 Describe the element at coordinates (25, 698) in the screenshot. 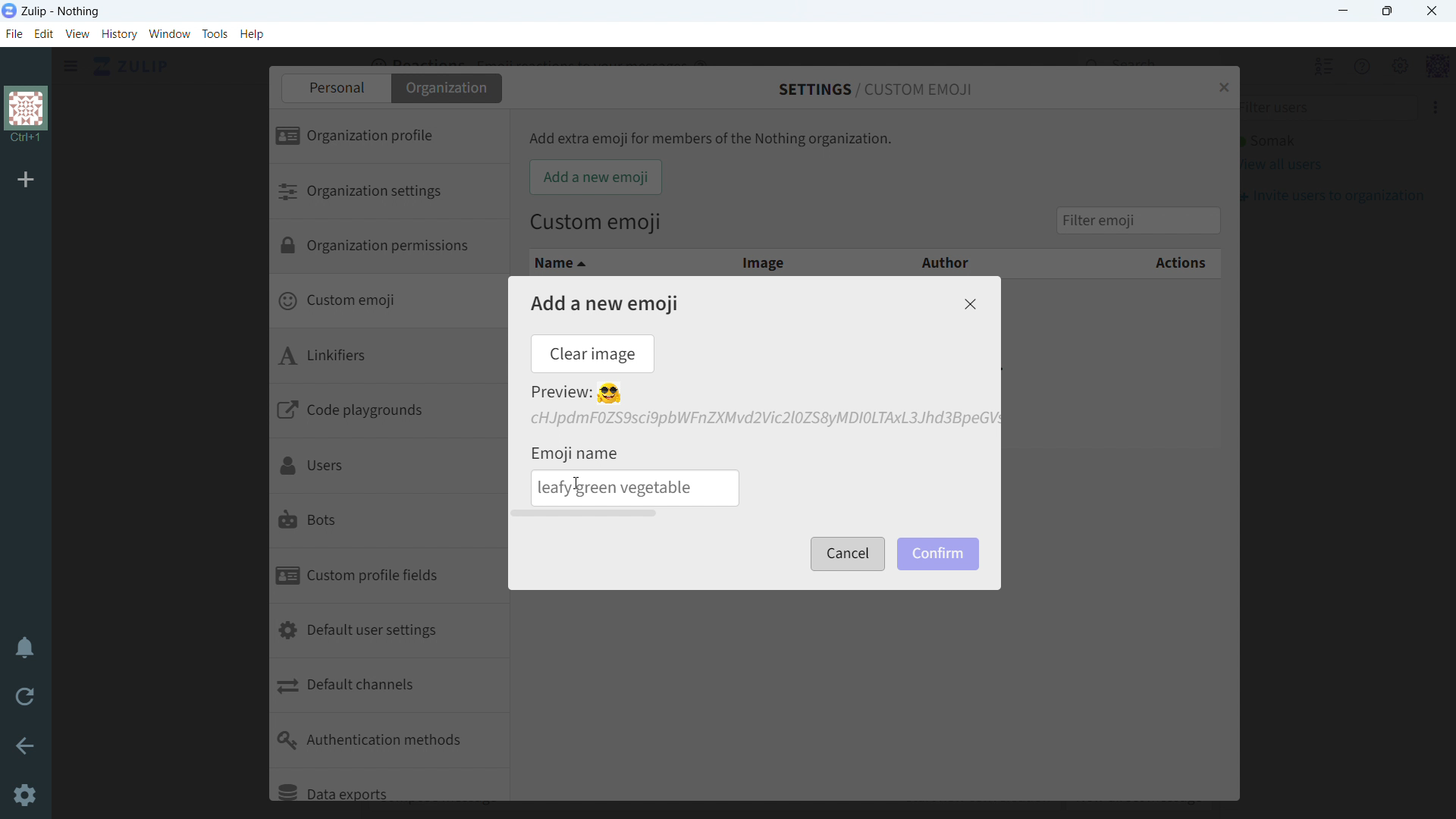

I see `reload` at that location.